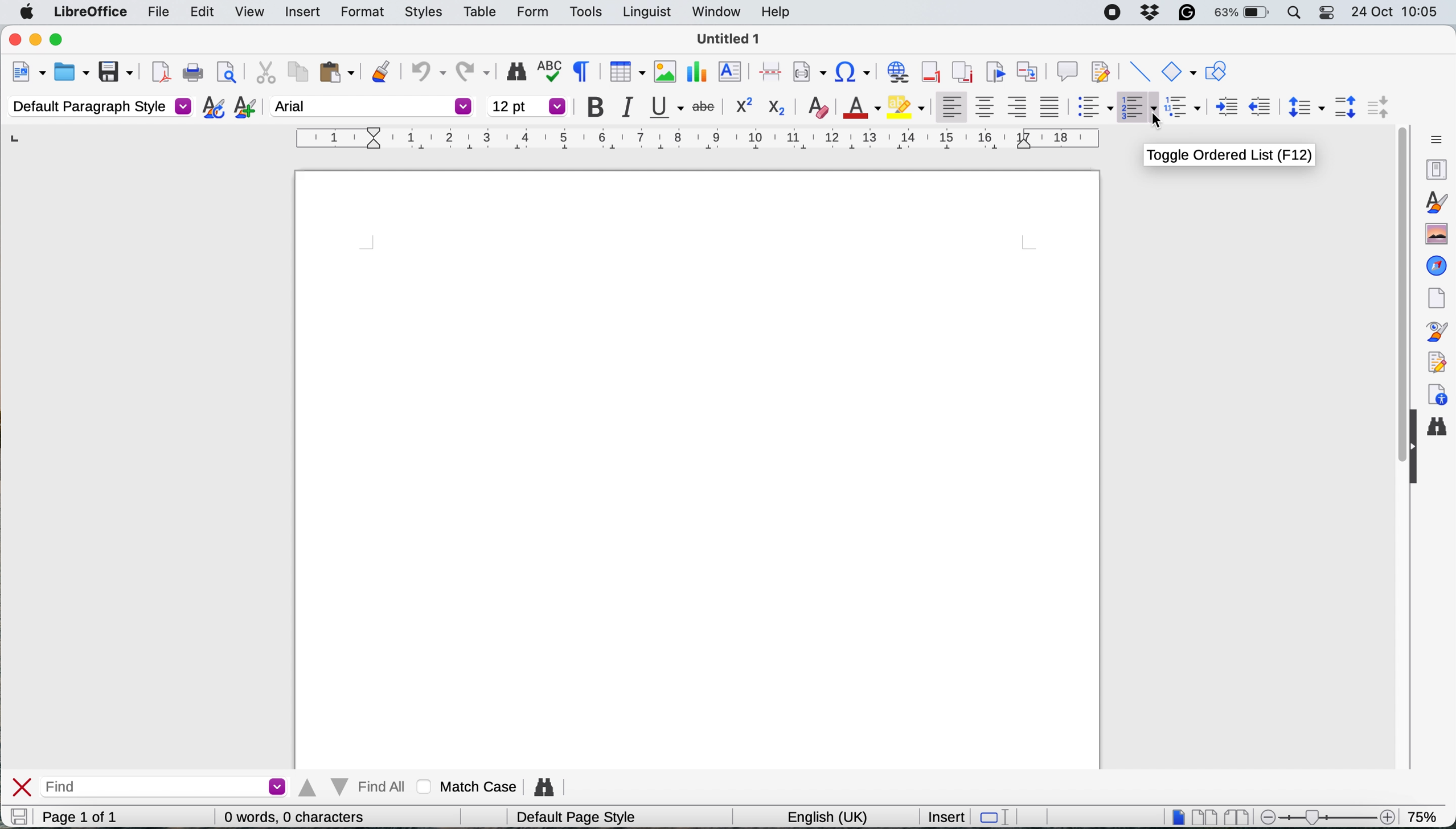 The image size is (1456, 829). I want to click on increase paragraph spacing, so click(1346, 107).